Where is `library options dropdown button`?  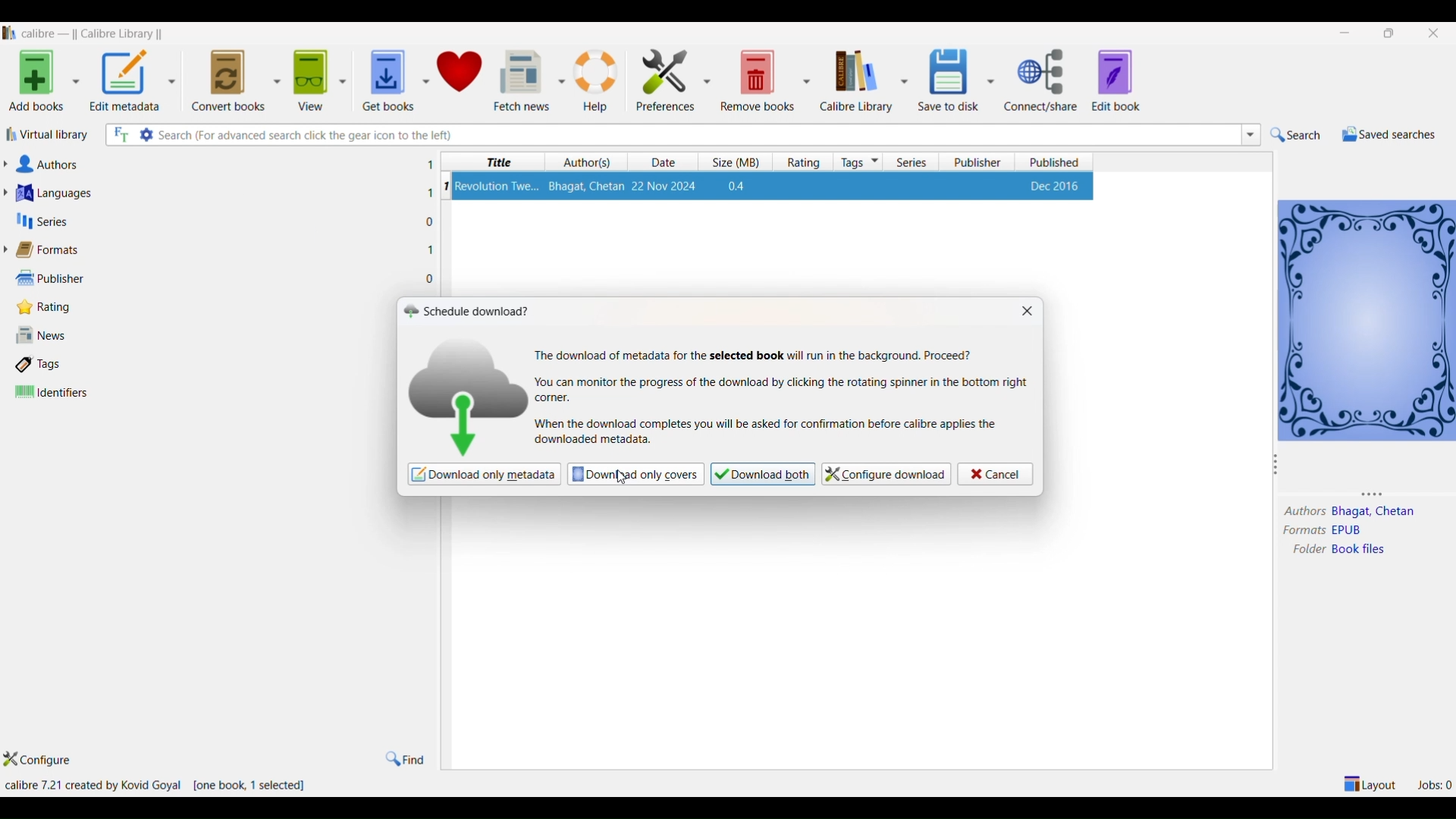
library options dropdown button is located at coordinates (902, 79).